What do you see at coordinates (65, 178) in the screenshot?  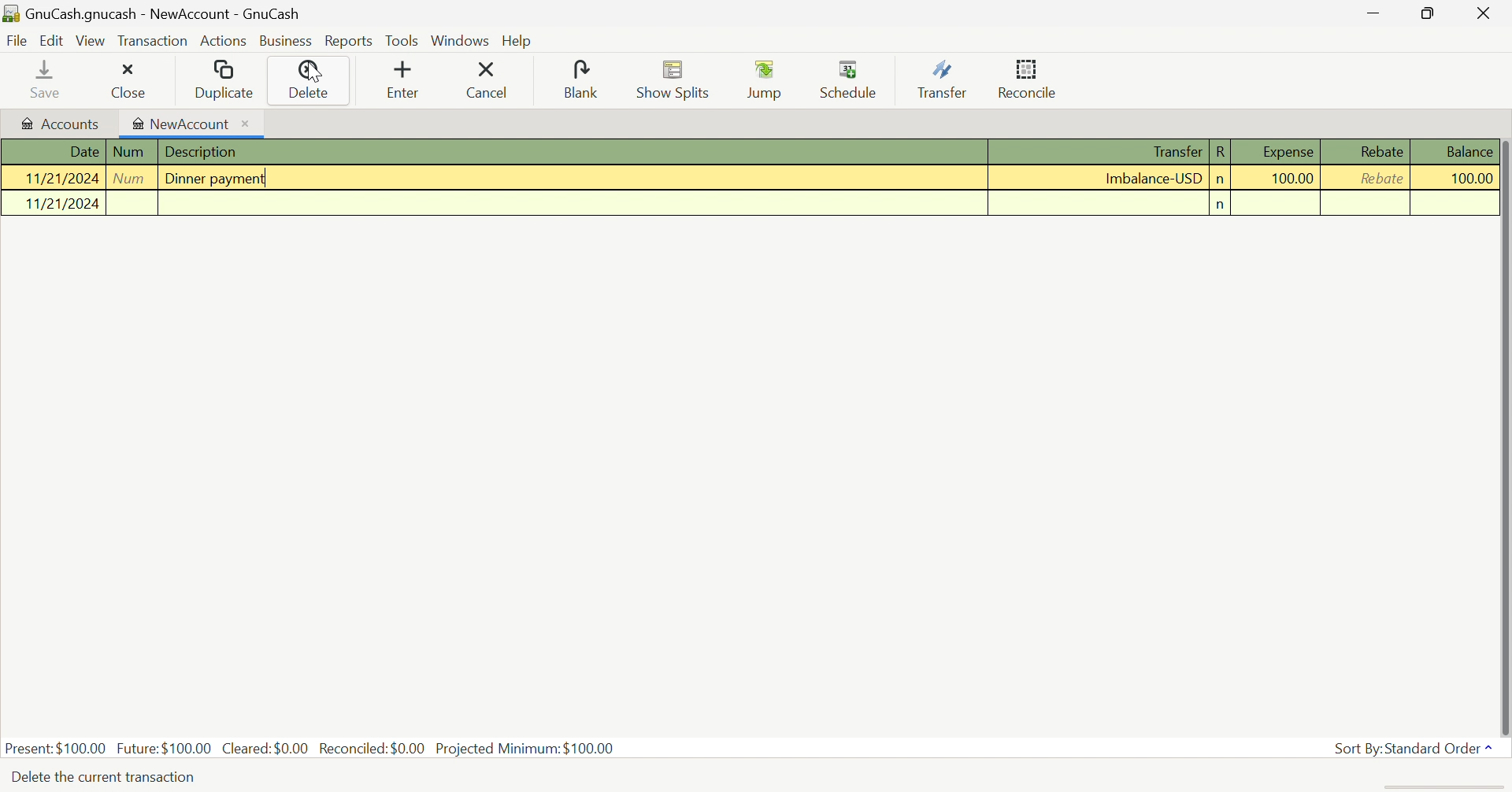 I see `11/21/2024` at bounding box center [65, 178].